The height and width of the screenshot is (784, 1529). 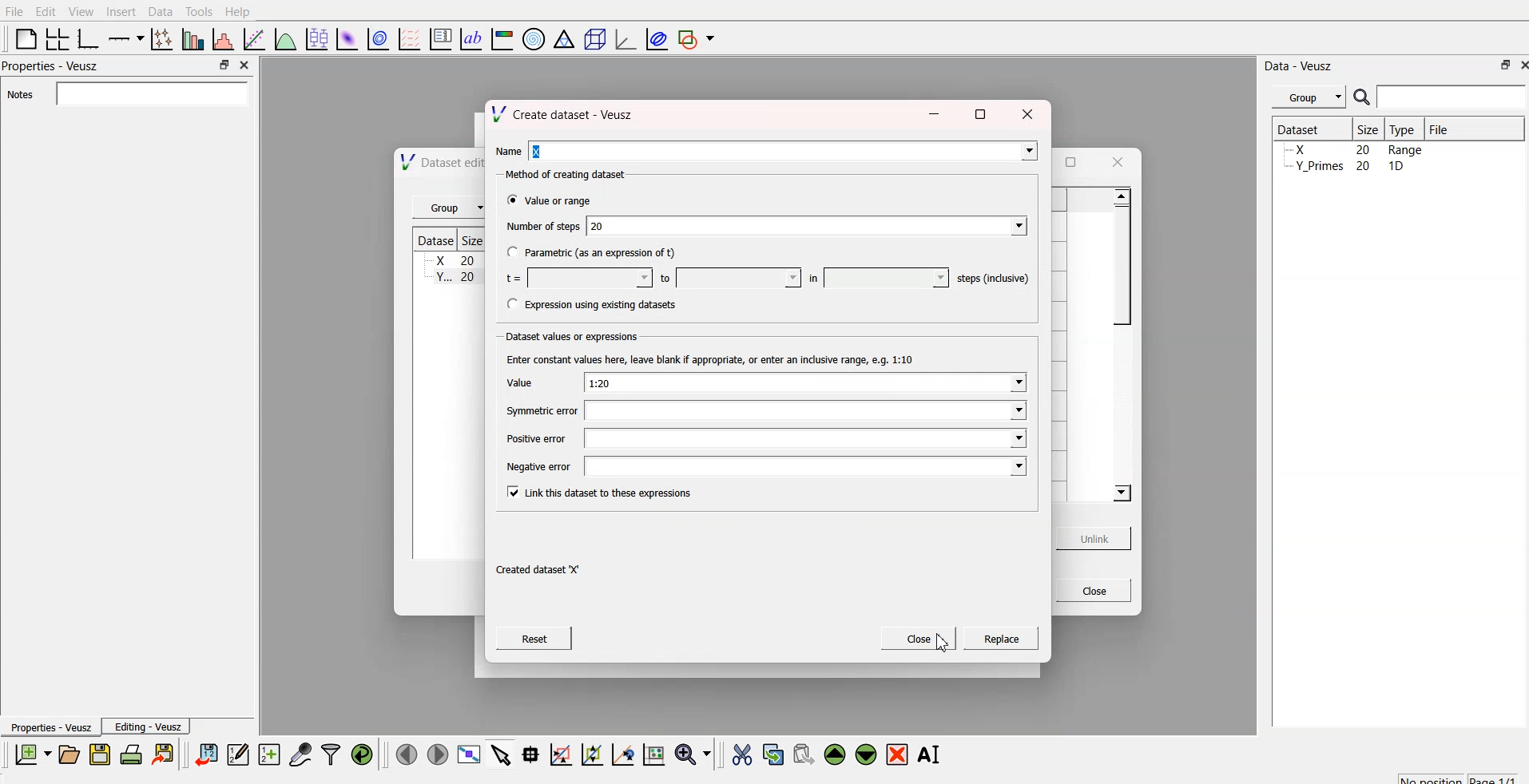 I want to click on select items from graph, so click(x=502, y=754).